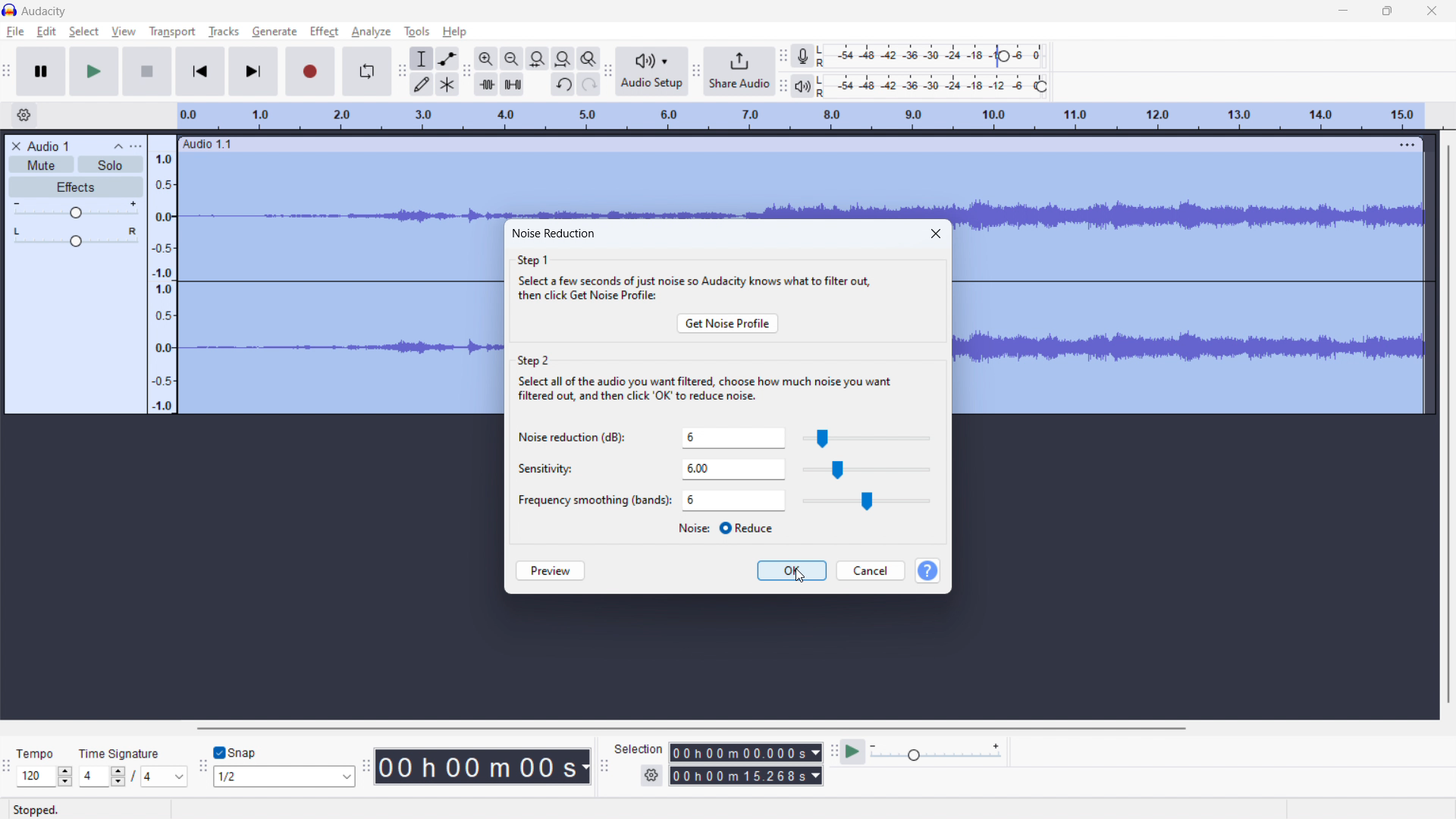 This screenshot has width=1456, height=819. Describe the element at coordinates (833, 751) in the screenshot. I see `play at speed toolbar` at that location.